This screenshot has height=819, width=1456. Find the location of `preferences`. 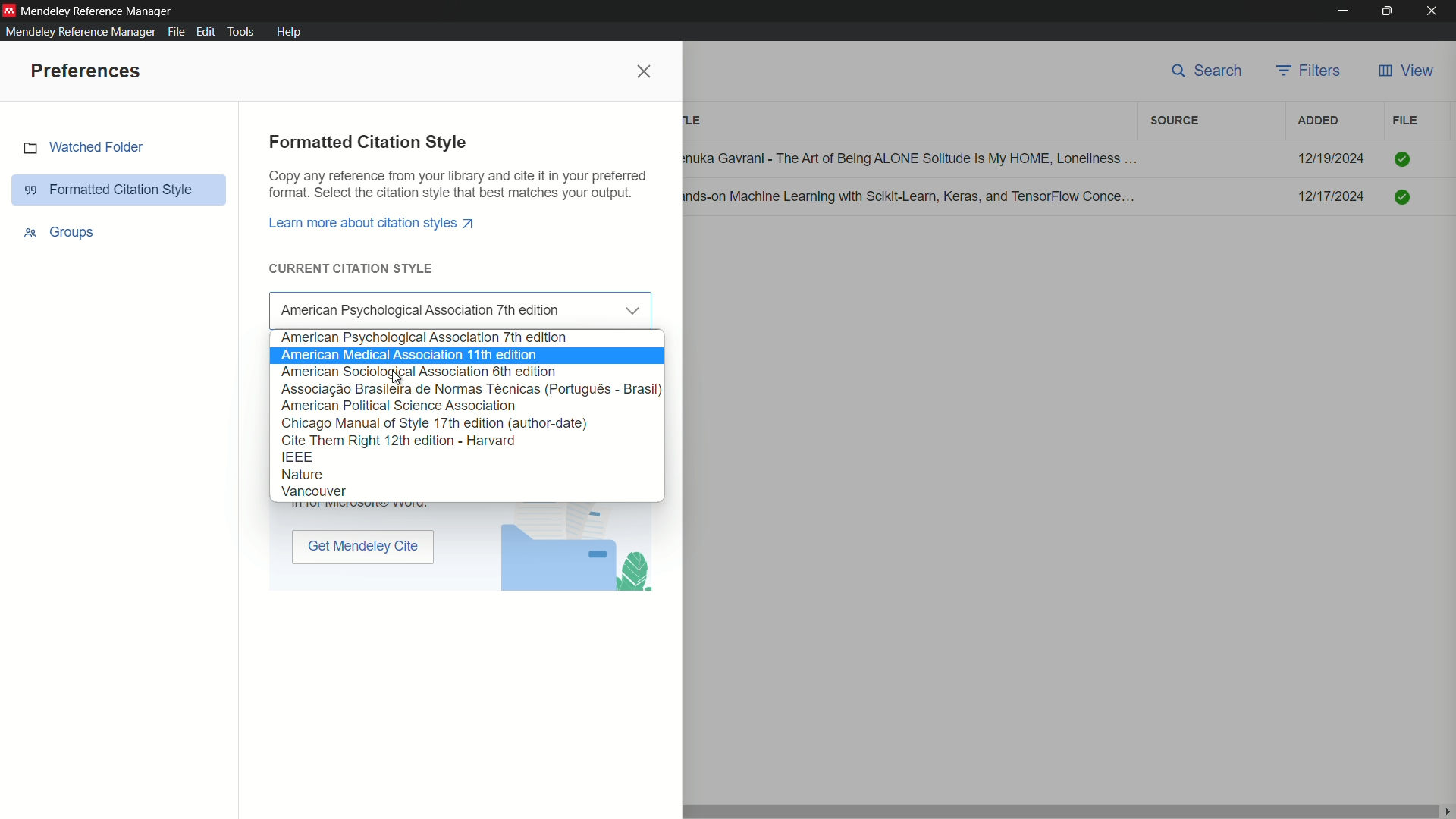

preferences is located at coordinates (87, 72).